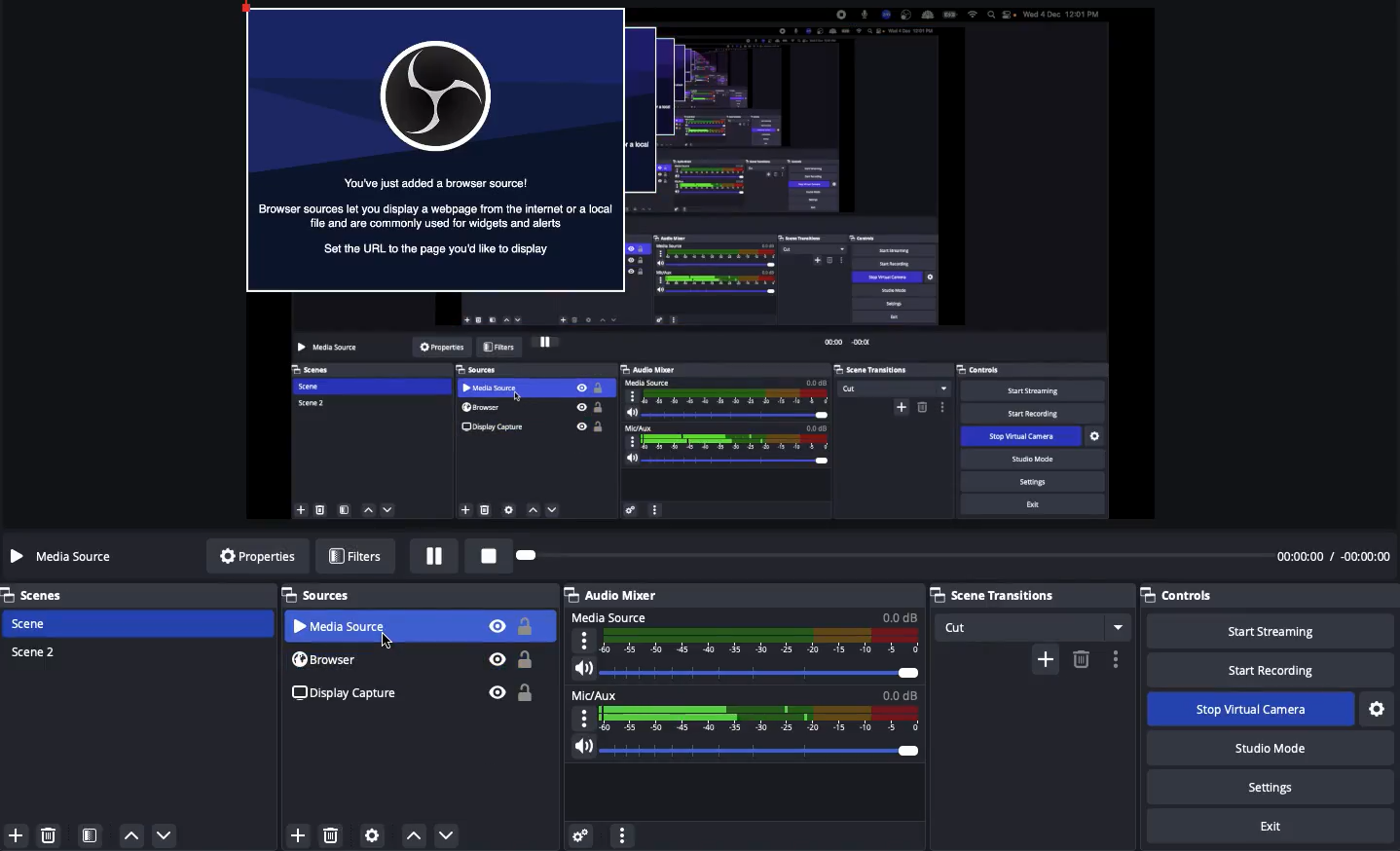  I want to click on Add, so click(1046, 660).